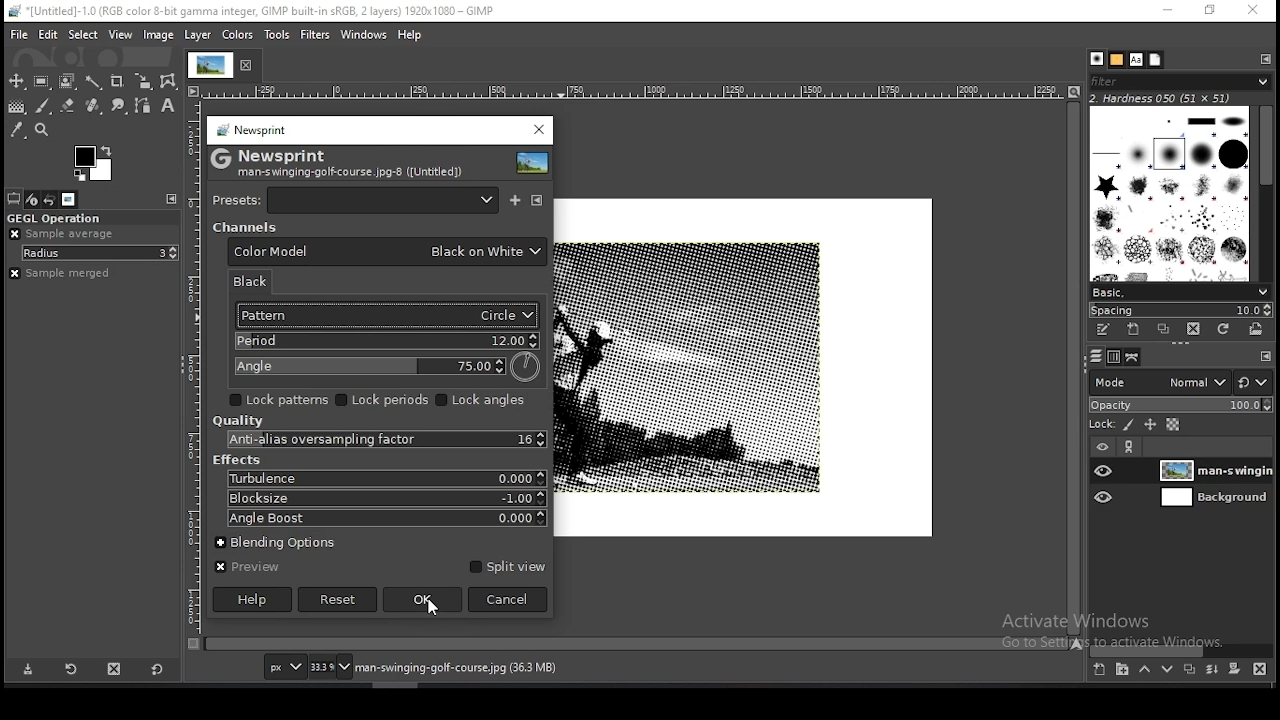 The width and height of the screenshot is (1280, 720). What do you see at coordinates (175, 200) in the screenshot?
I see `configure this tab` at bounding box center [175, 200].